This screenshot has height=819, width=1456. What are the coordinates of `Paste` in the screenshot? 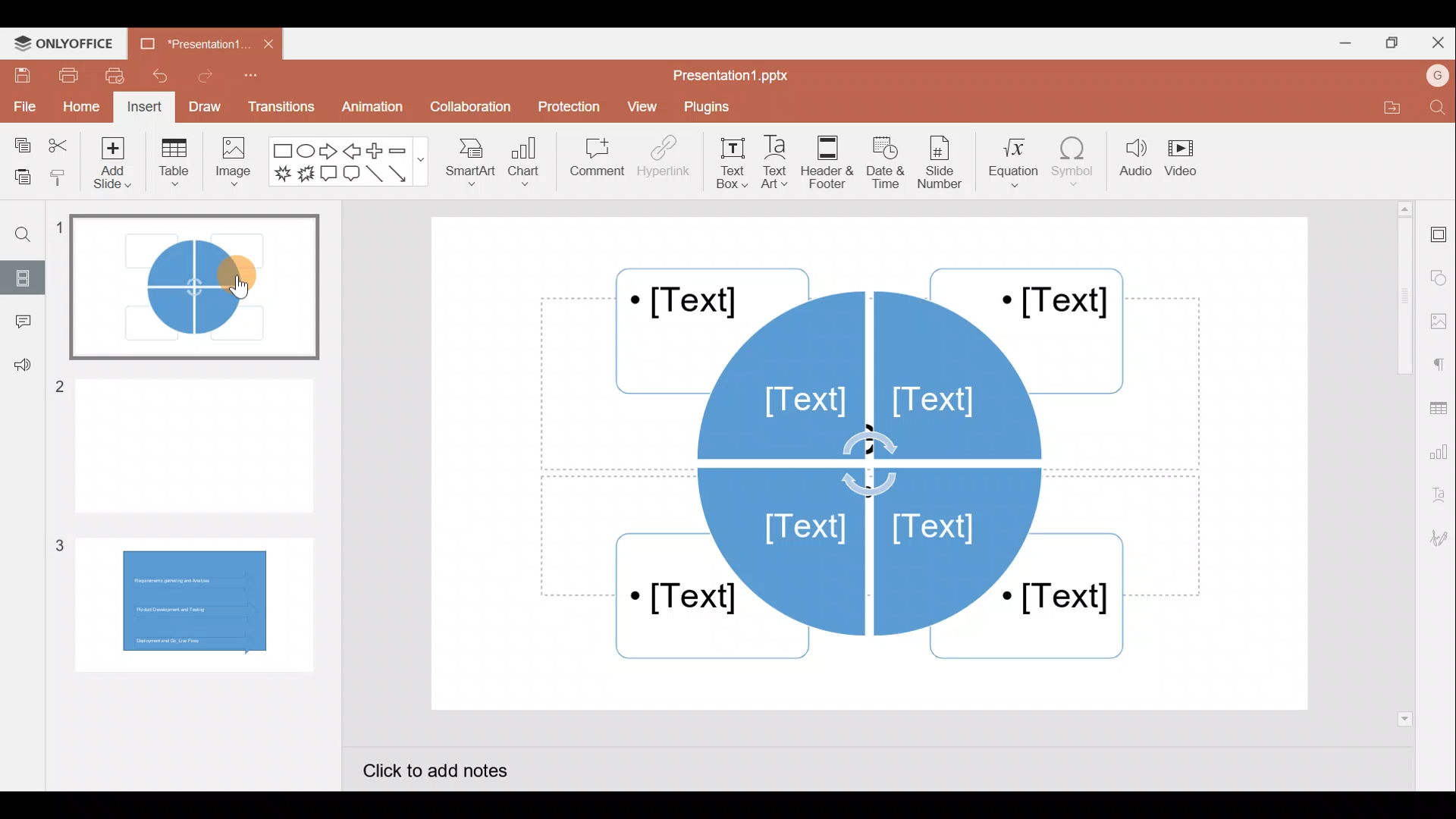 It's located at (20, 174).